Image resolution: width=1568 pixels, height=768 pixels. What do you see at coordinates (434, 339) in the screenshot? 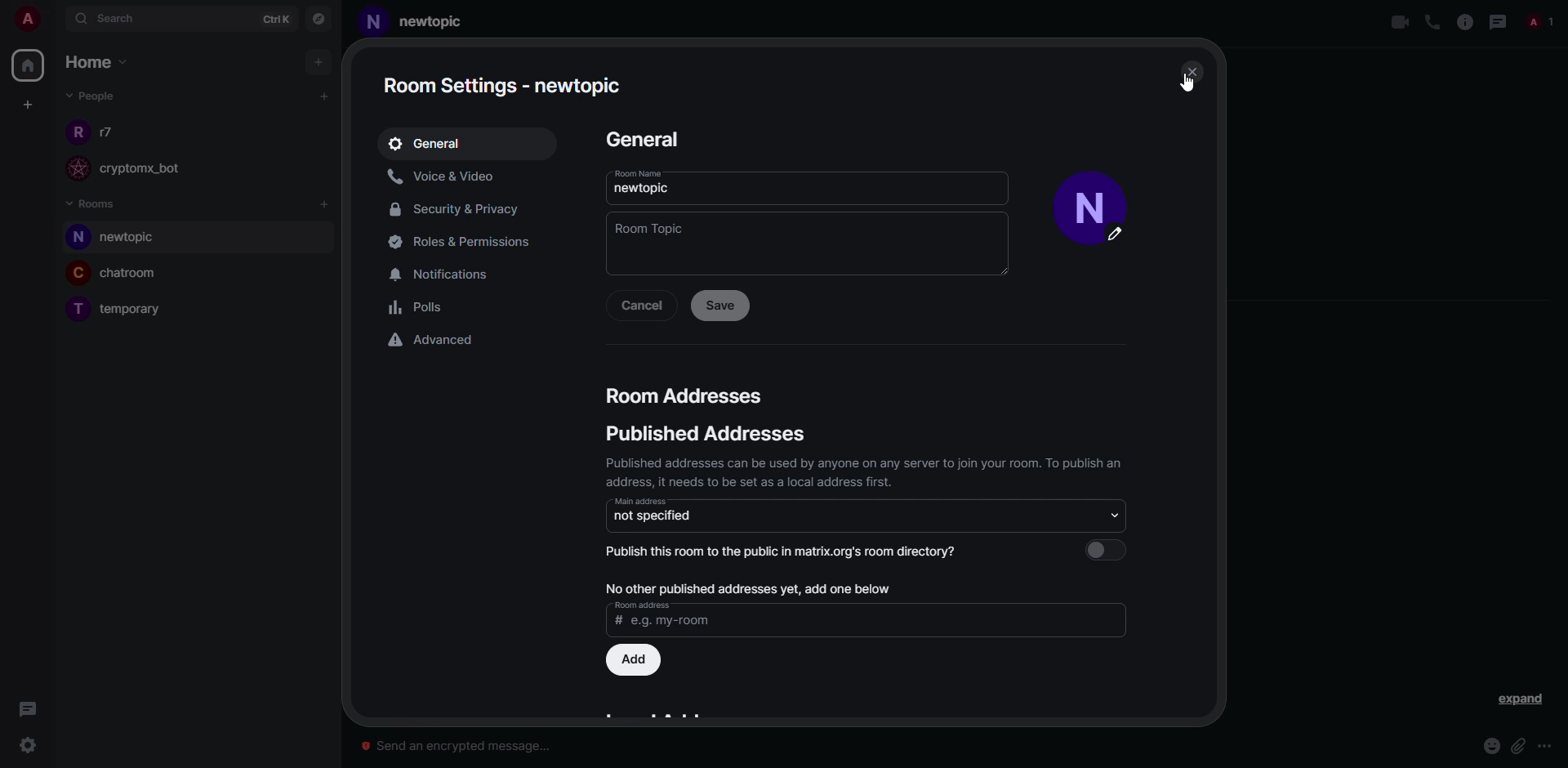
I see `advanced` at bounding box center [434, 339].